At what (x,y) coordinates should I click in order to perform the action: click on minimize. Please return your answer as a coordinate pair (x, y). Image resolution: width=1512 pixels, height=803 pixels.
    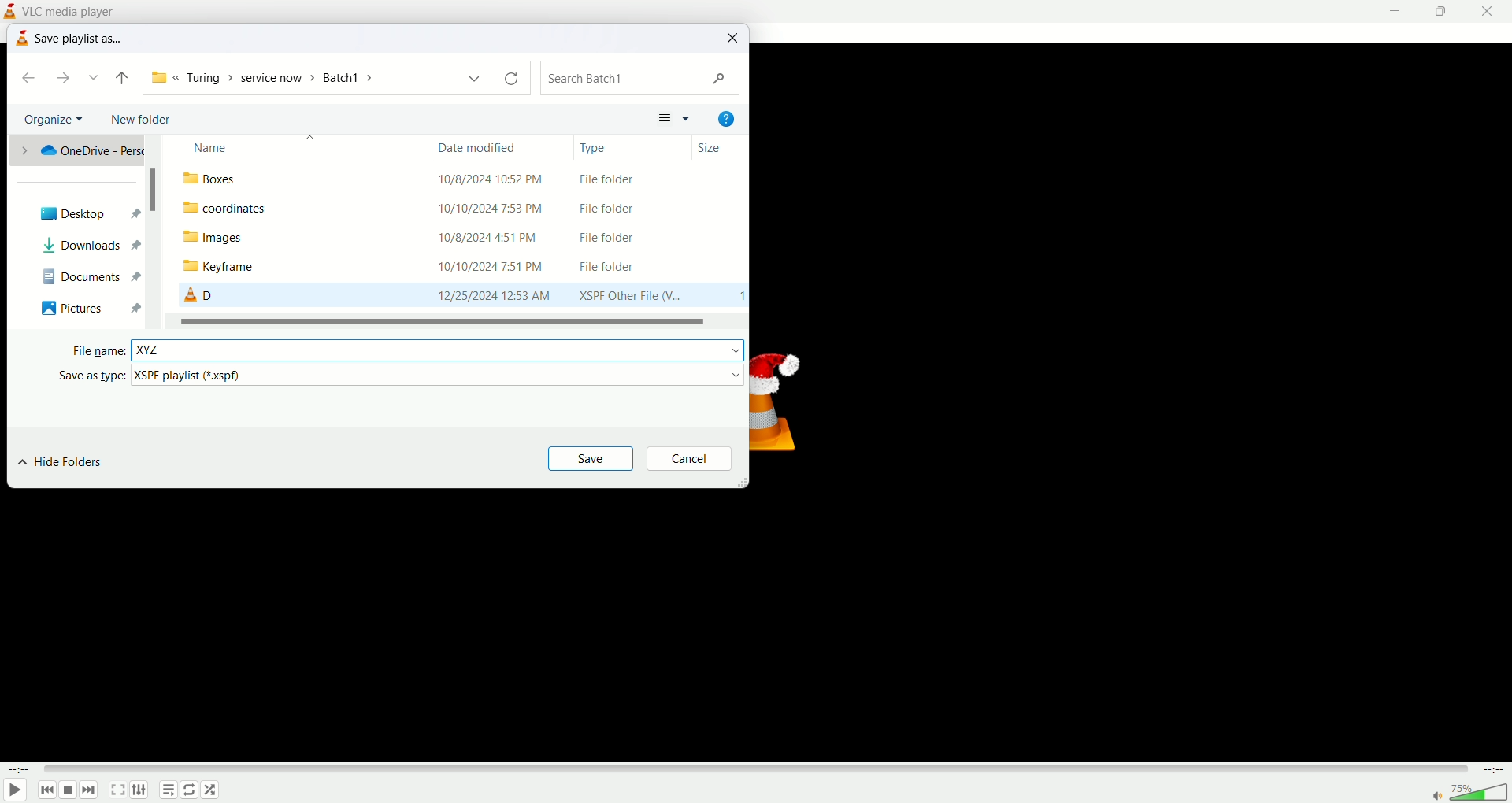
    Looking at the image, I should click on (1401, 11).